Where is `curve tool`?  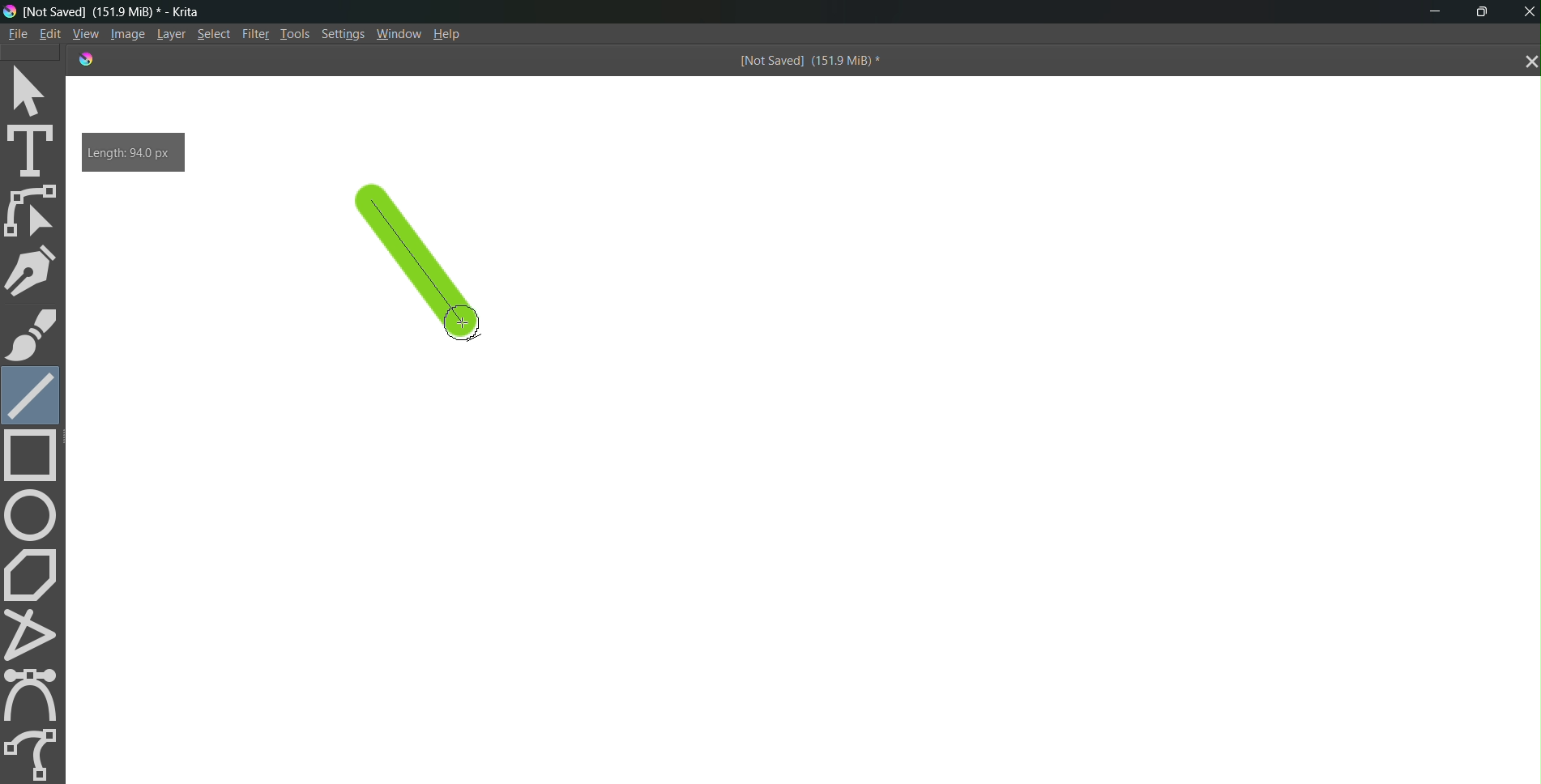
curve tool is located at coordinates (36, 694).